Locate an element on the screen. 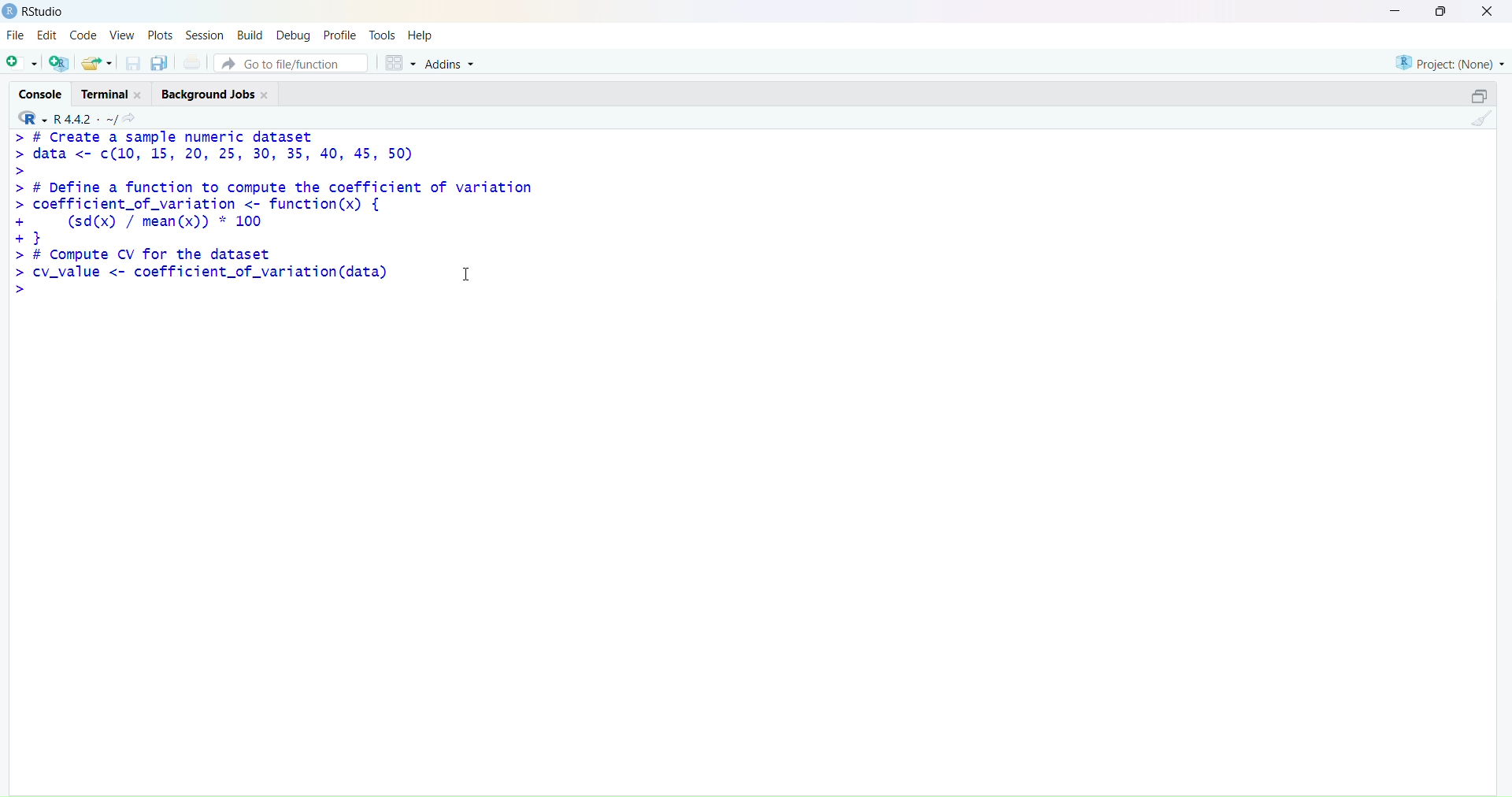  Background jobs is located at coordinates (207, 96).